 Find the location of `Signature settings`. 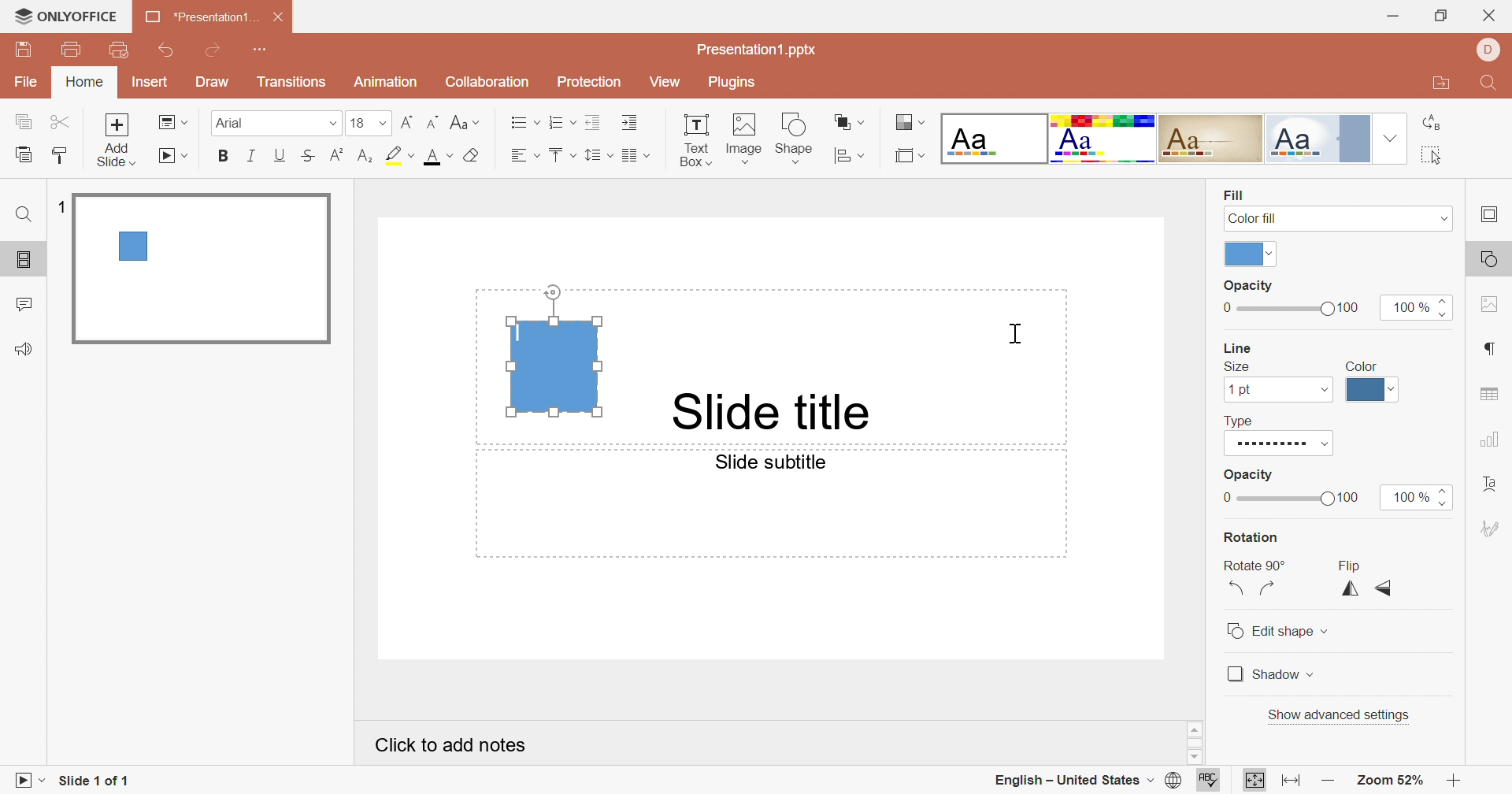

Signature settings is located at coordinates (1492, 525).